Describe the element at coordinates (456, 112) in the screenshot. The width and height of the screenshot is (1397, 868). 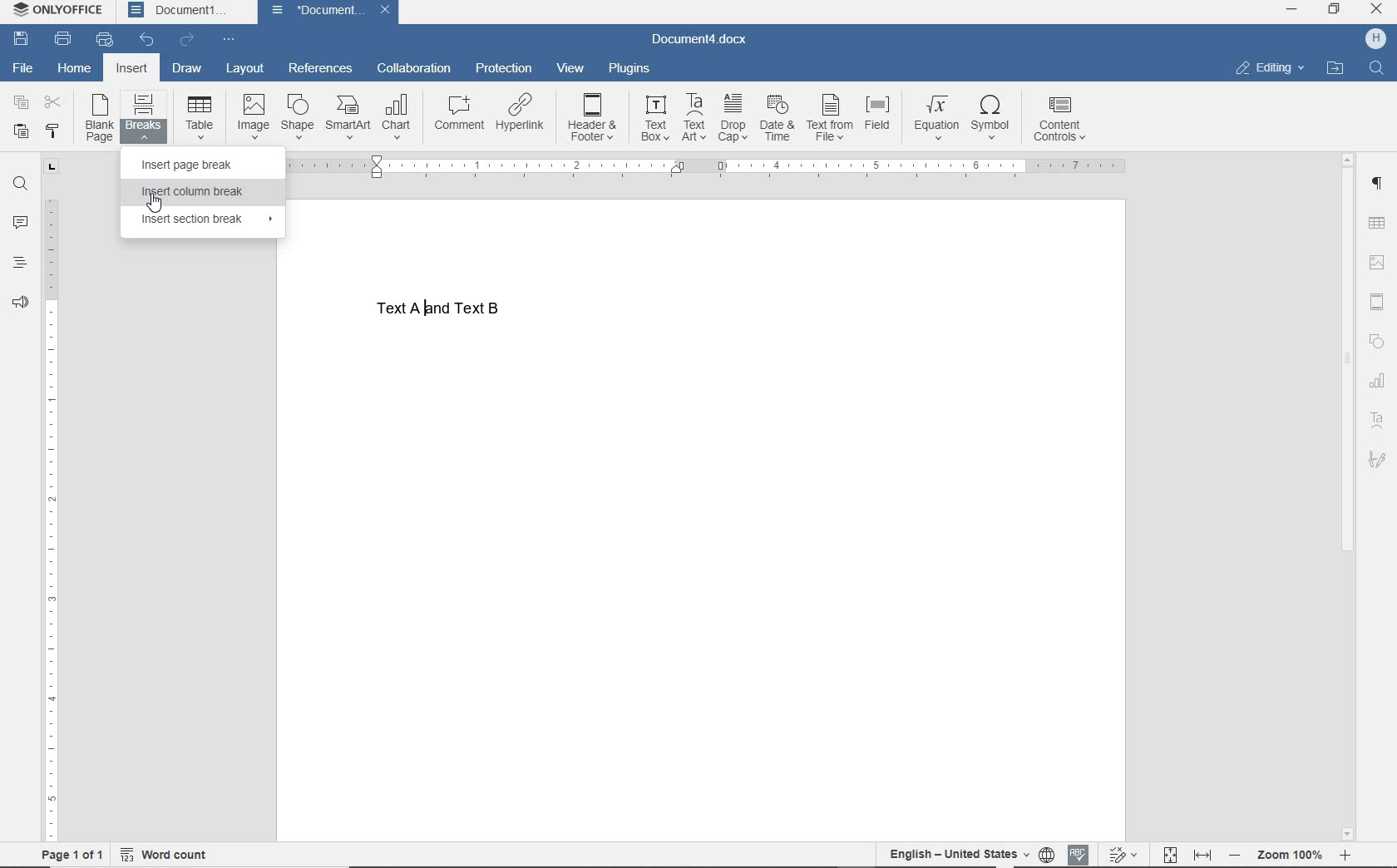
I see `COMMENT` at that location.